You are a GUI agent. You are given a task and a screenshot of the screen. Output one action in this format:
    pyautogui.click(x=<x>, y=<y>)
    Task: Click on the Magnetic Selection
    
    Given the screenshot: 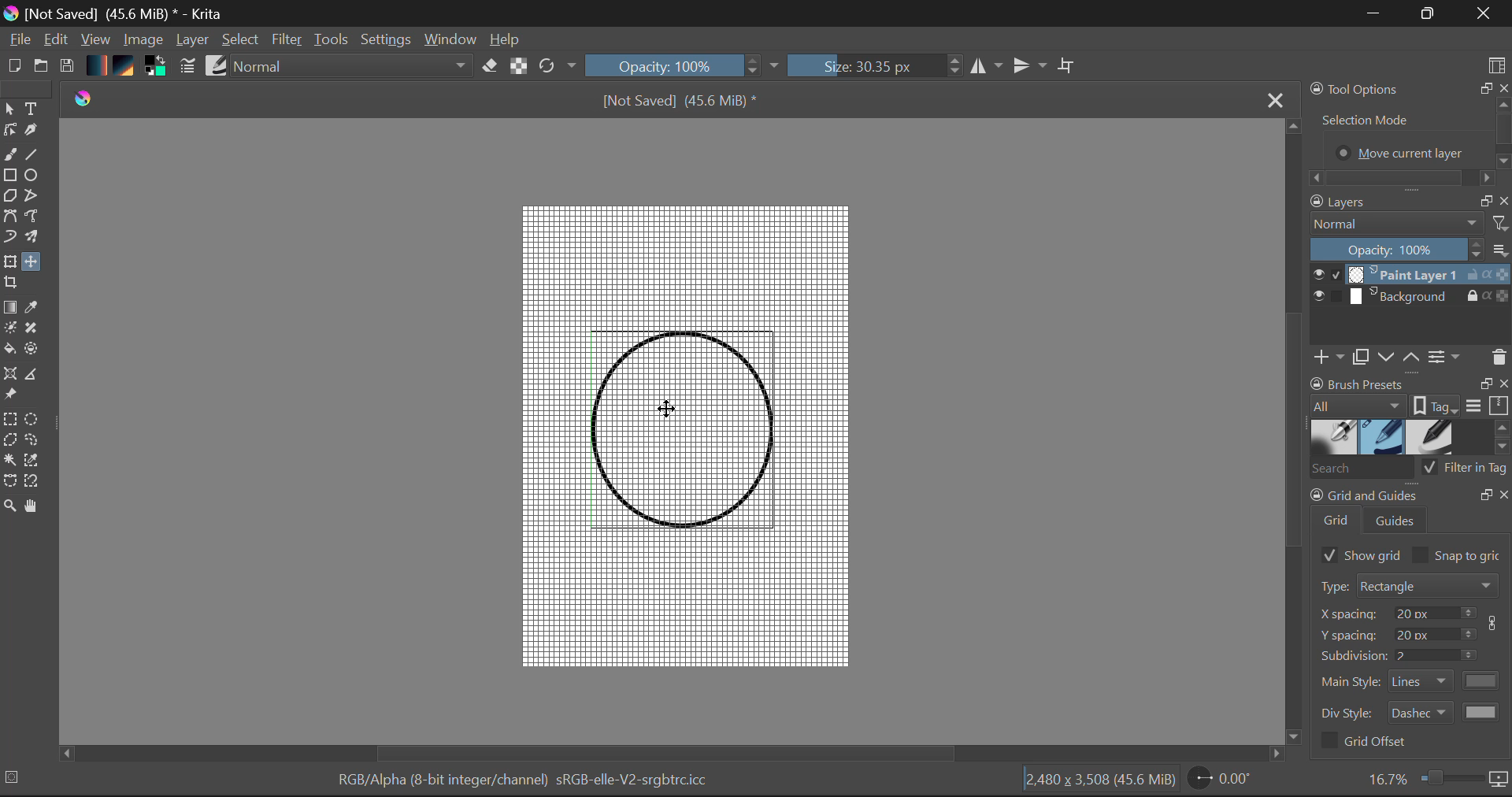 What is the action you would take?
    pyautogui.click(x=30, y=481)
    